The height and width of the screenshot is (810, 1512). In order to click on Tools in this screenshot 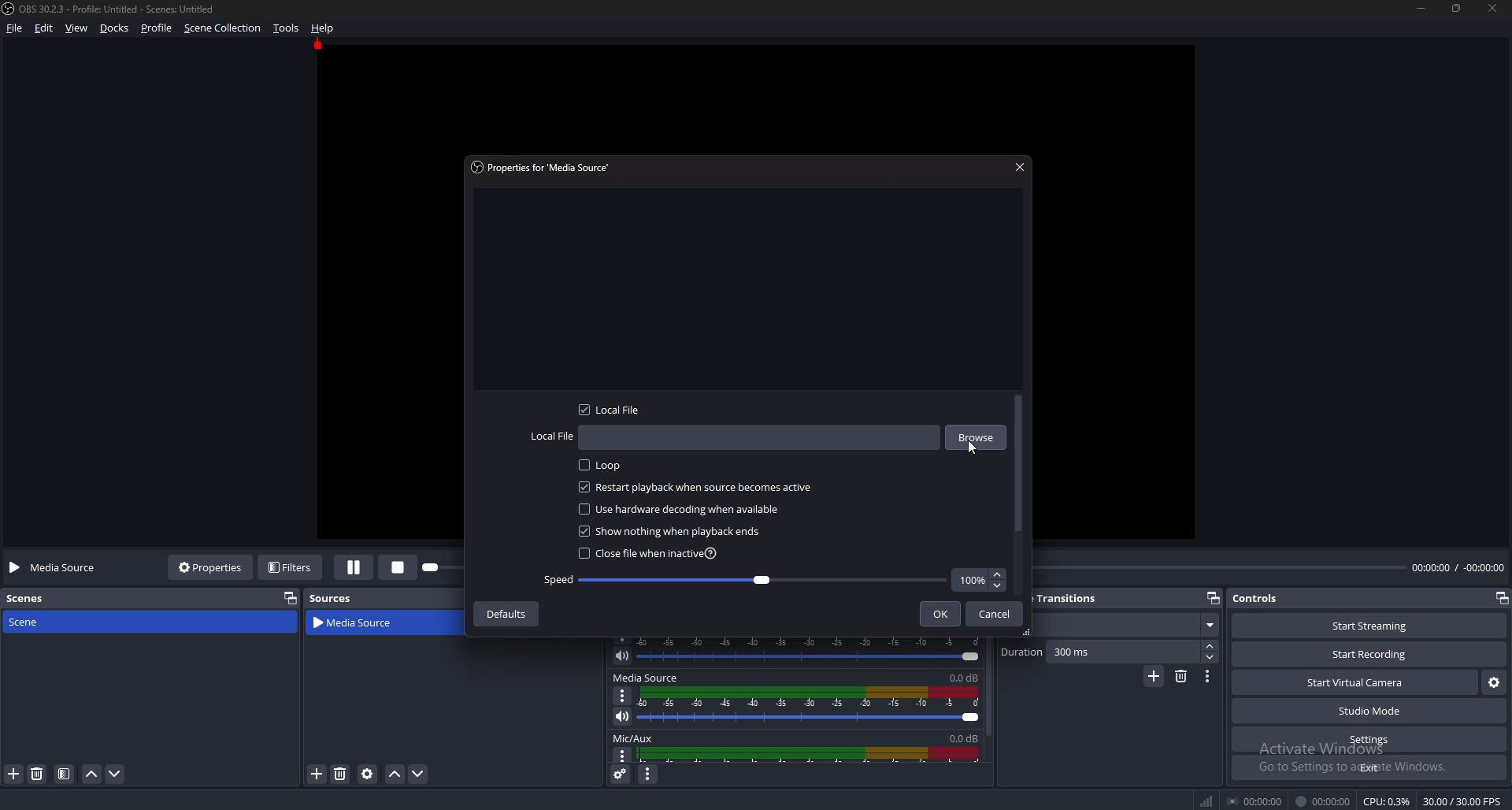, I will do `click(287, 28)`.